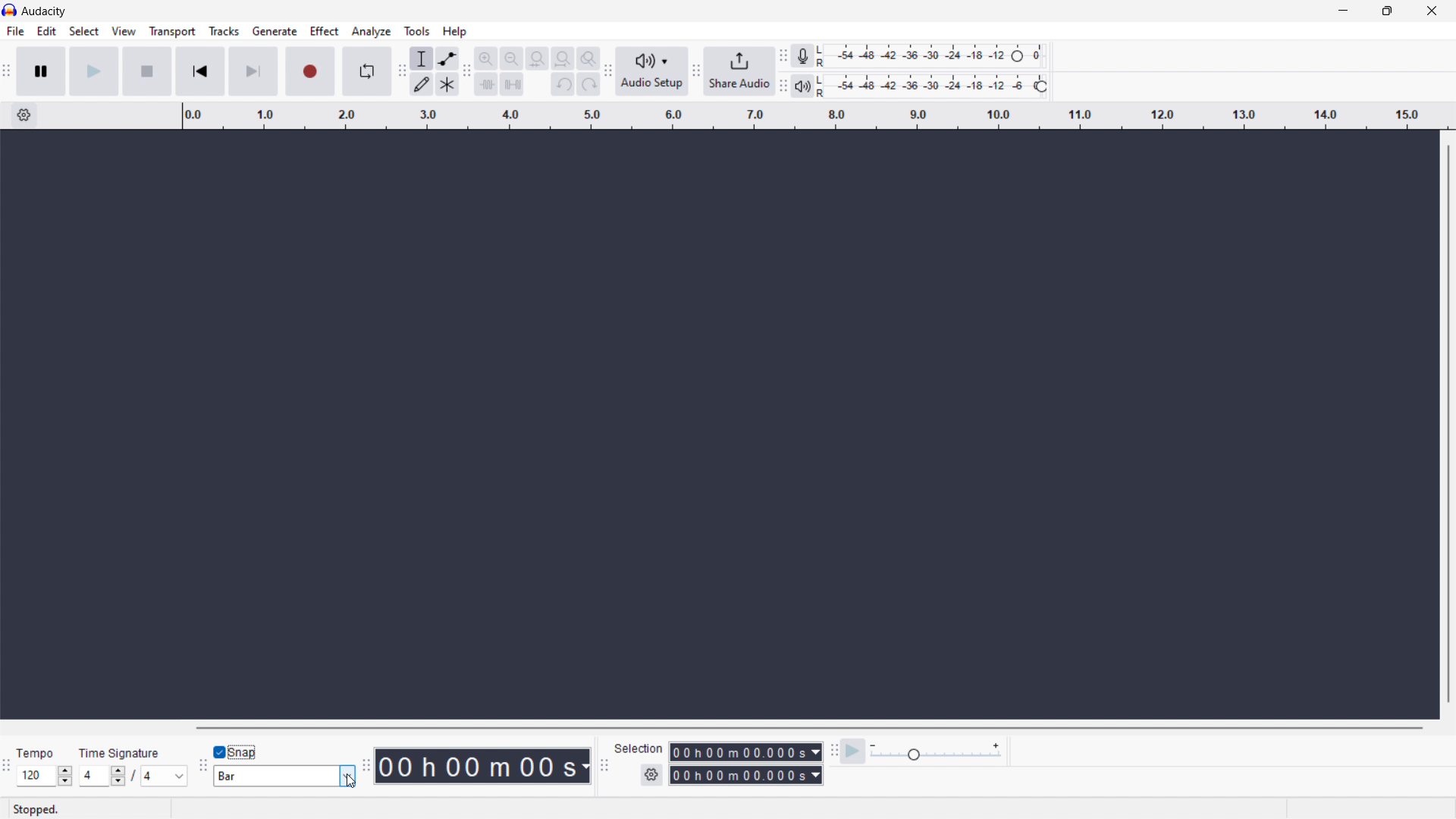 This screenshot has width=1456, height=819. What do you see at coordinates (1341, 11) in the screenshot?
I see `minimize` at bounding box center [1341, 11].